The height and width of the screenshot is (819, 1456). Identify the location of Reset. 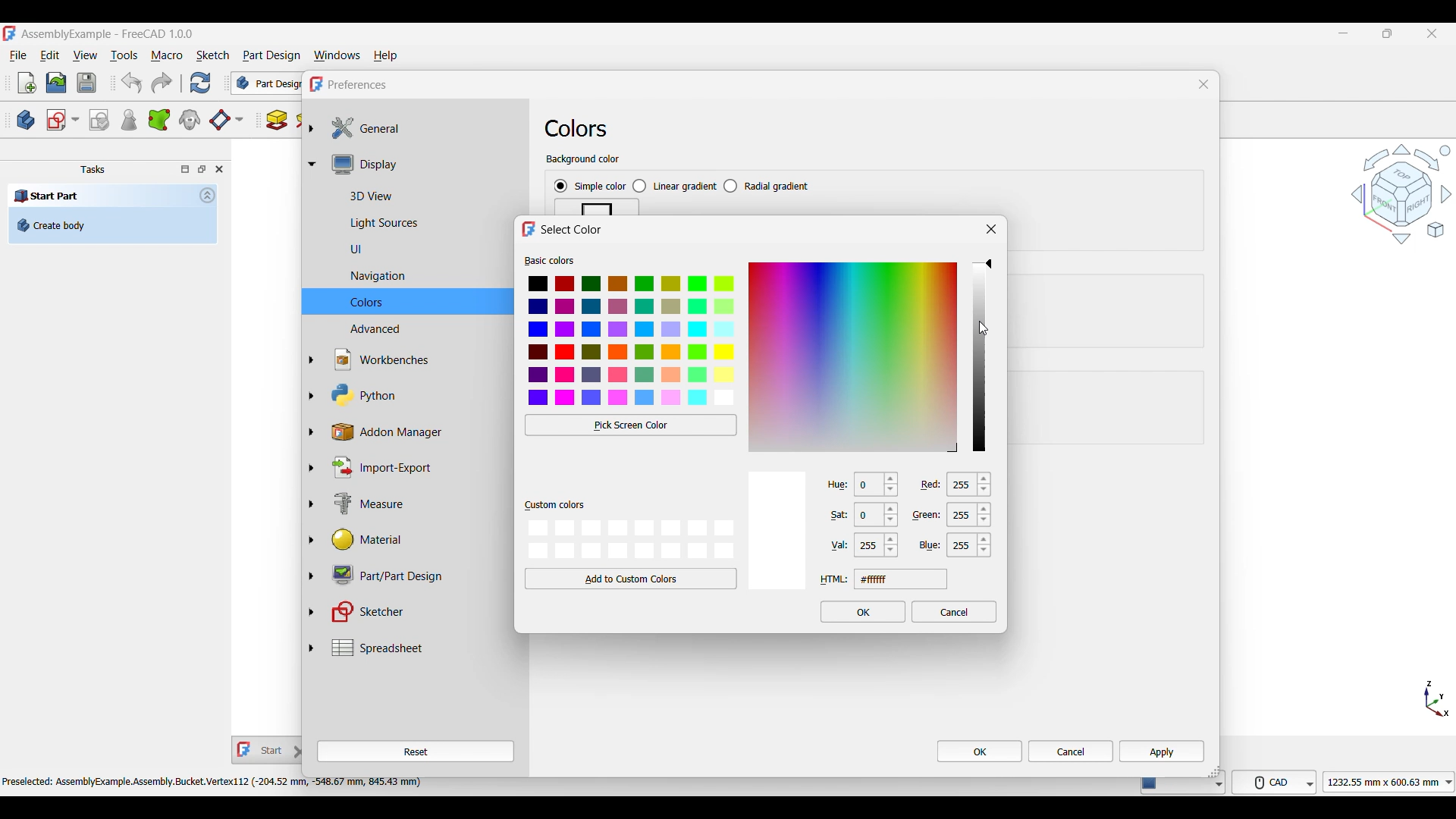
(416, 752).